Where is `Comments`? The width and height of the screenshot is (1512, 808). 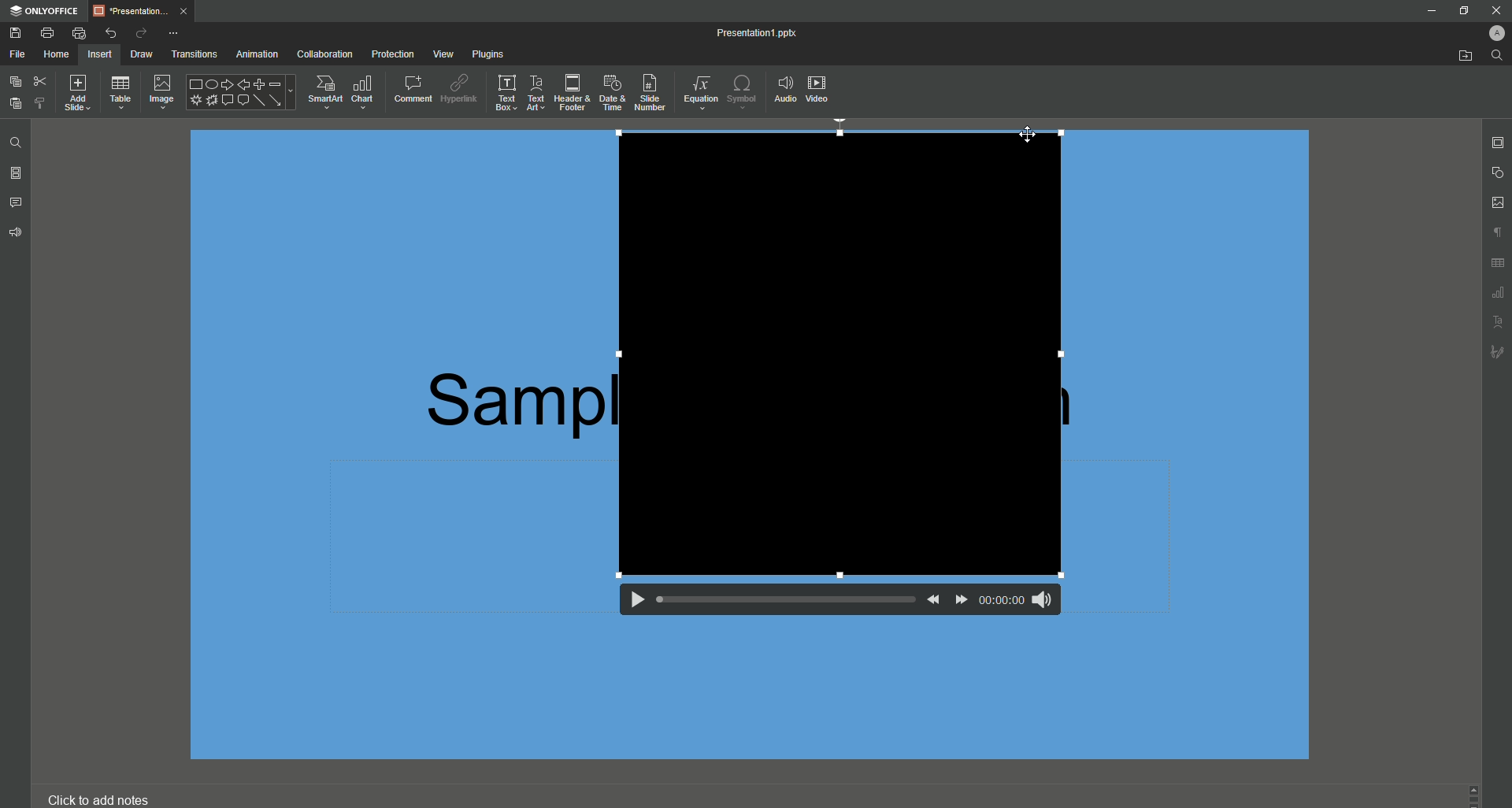
Comments is located at coordinates (17, 203).